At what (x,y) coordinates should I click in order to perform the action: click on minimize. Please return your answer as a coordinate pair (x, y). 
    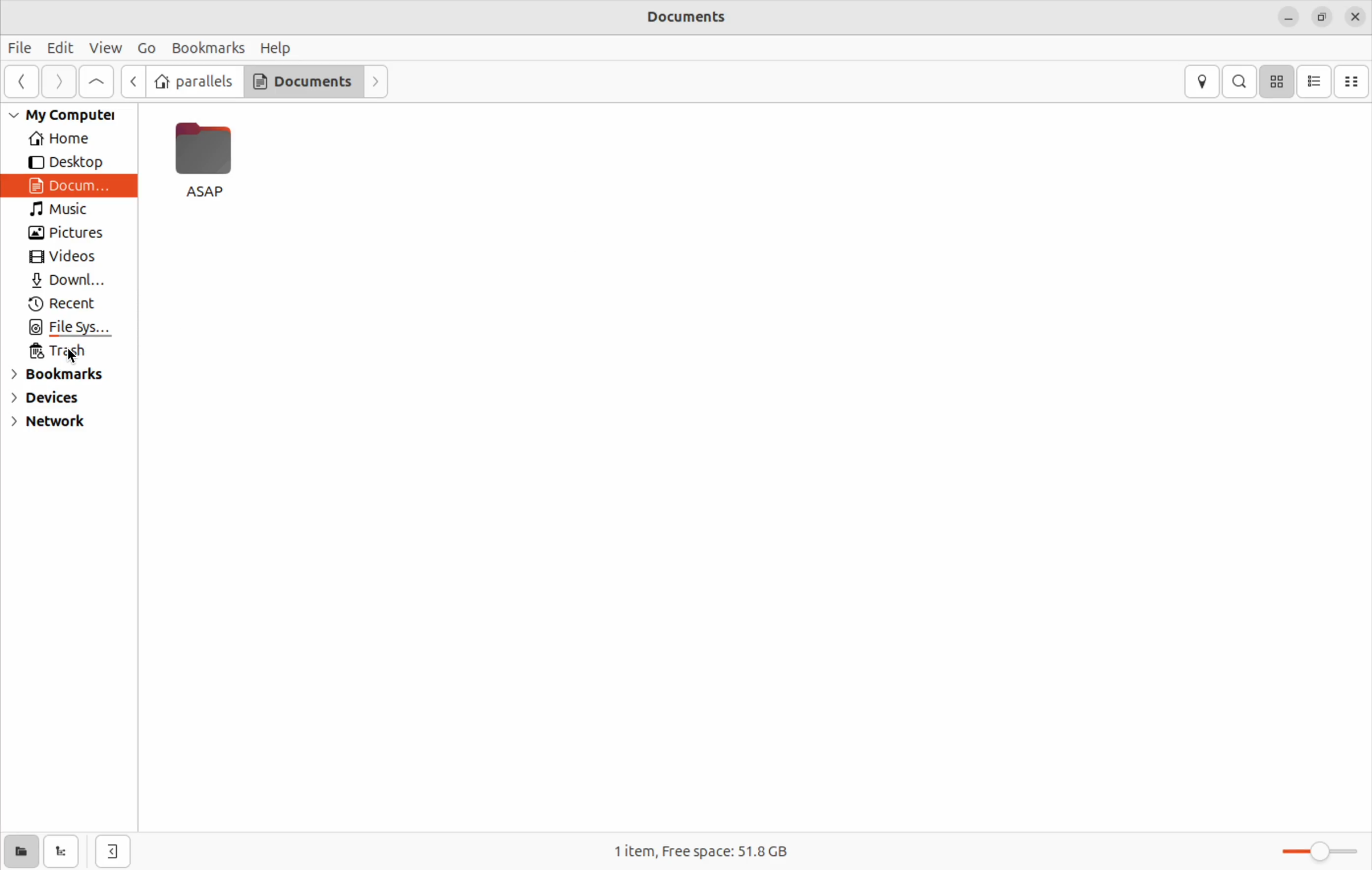
    Looking at the image, I should click on (1288, 19).